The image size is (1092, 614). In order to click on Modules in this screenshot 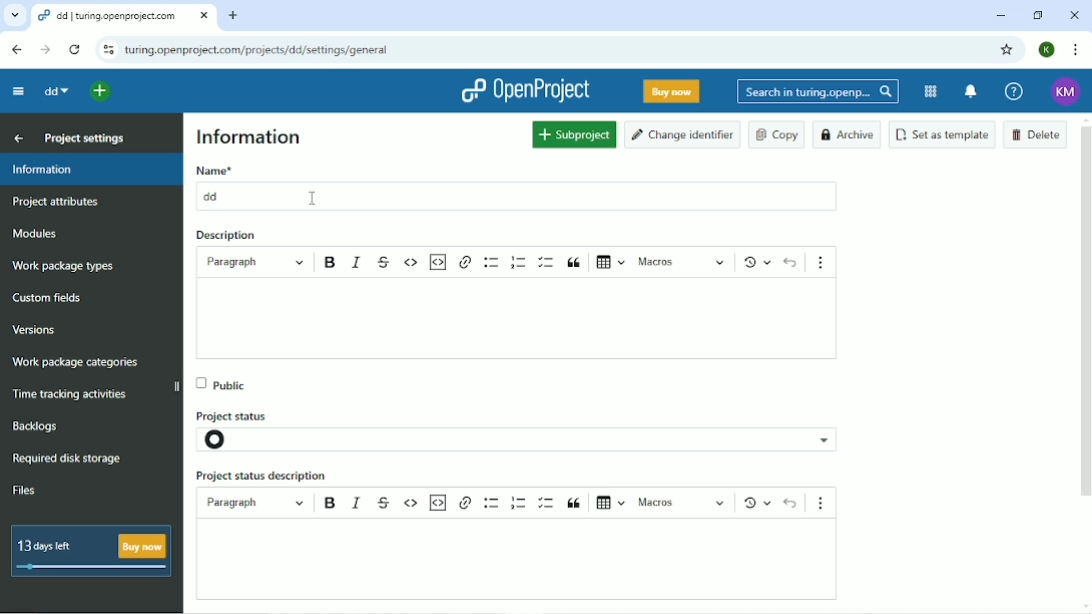, I will do `click(33, 233)`.